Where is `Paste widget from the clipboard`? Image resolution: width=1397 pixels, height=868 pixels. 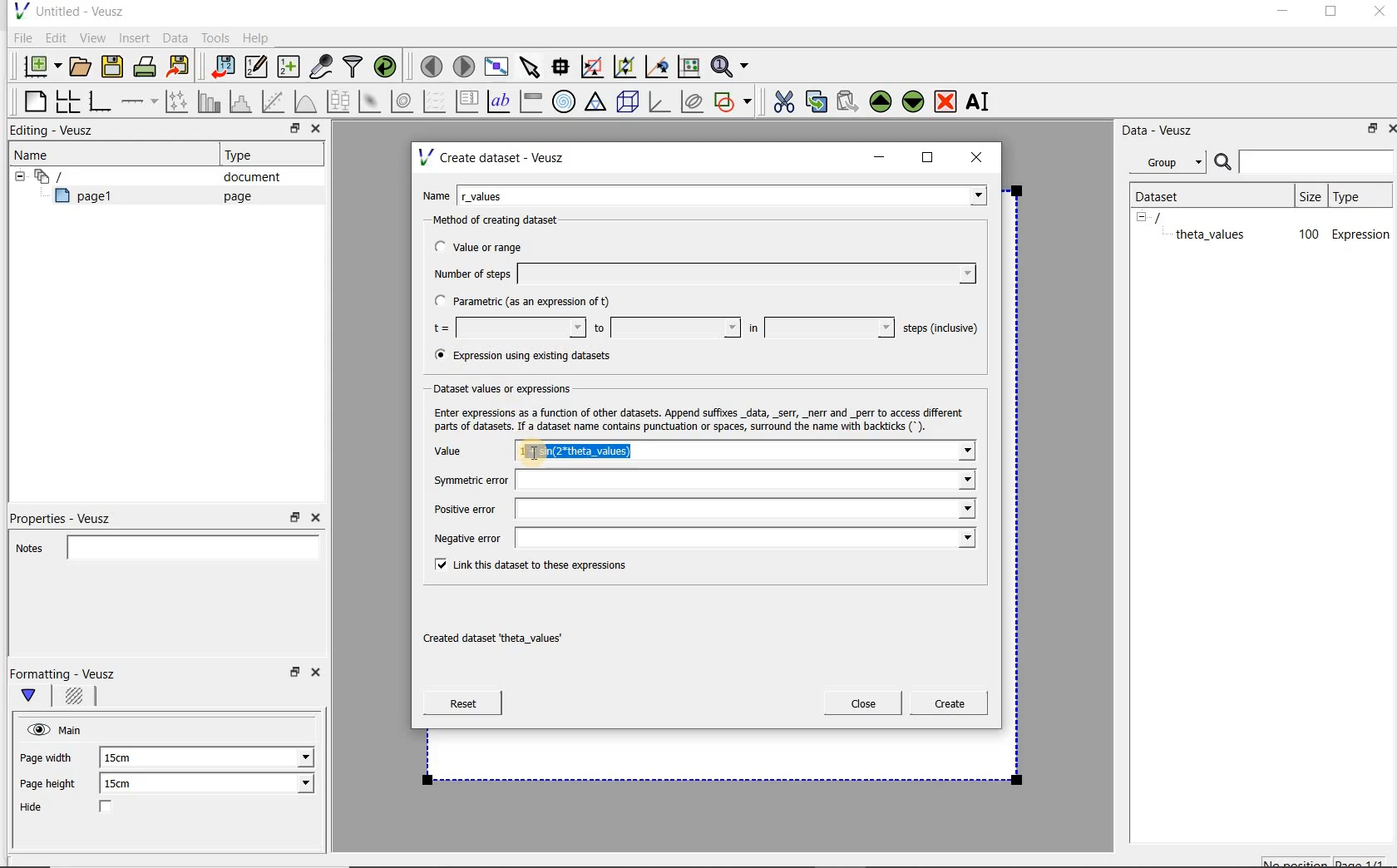
Paste widget from the clipboard is located at coordinates (850, 101).